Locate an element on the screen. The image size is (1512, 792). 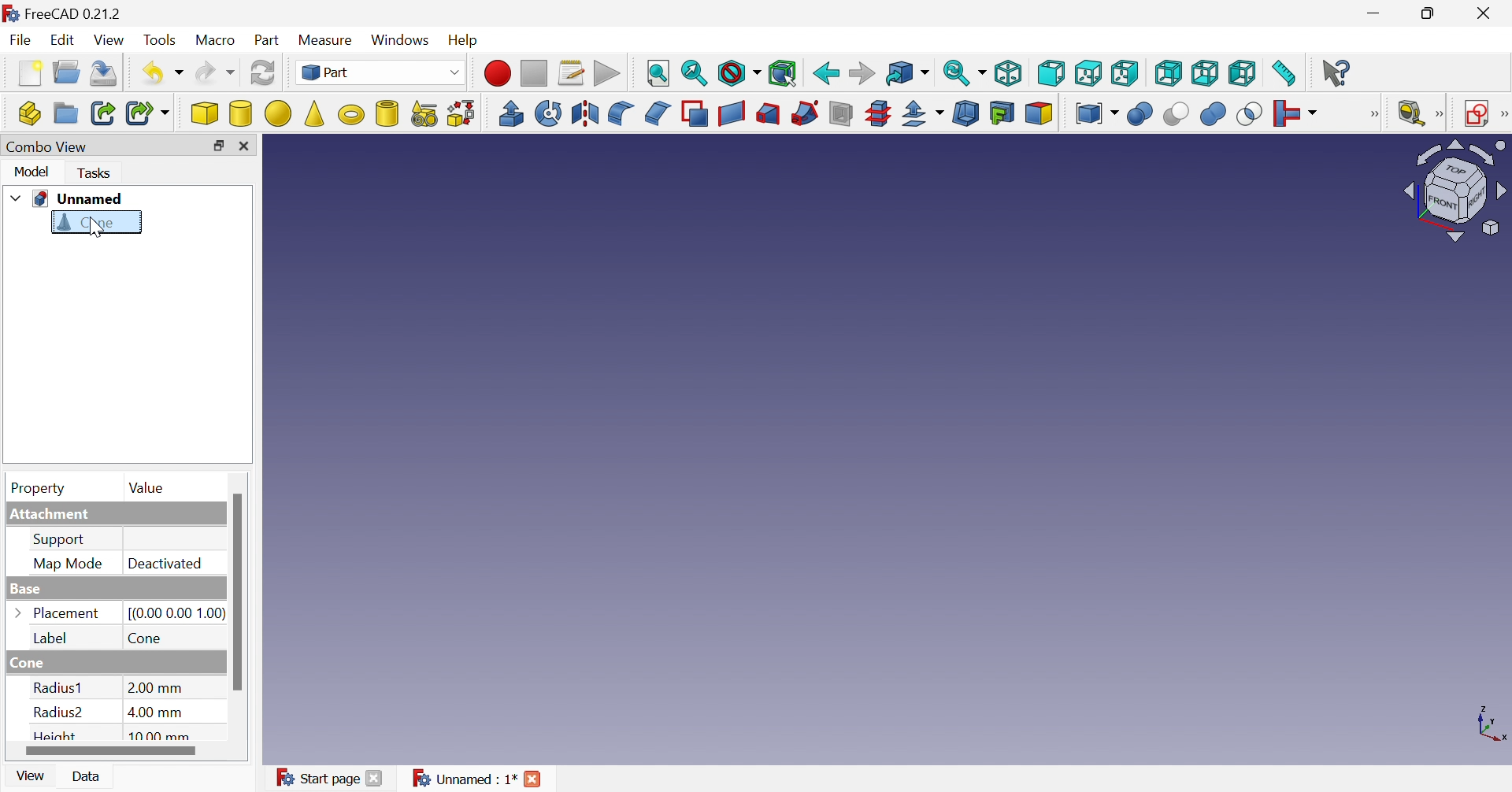
Windows is located at coordinates (399, 41).